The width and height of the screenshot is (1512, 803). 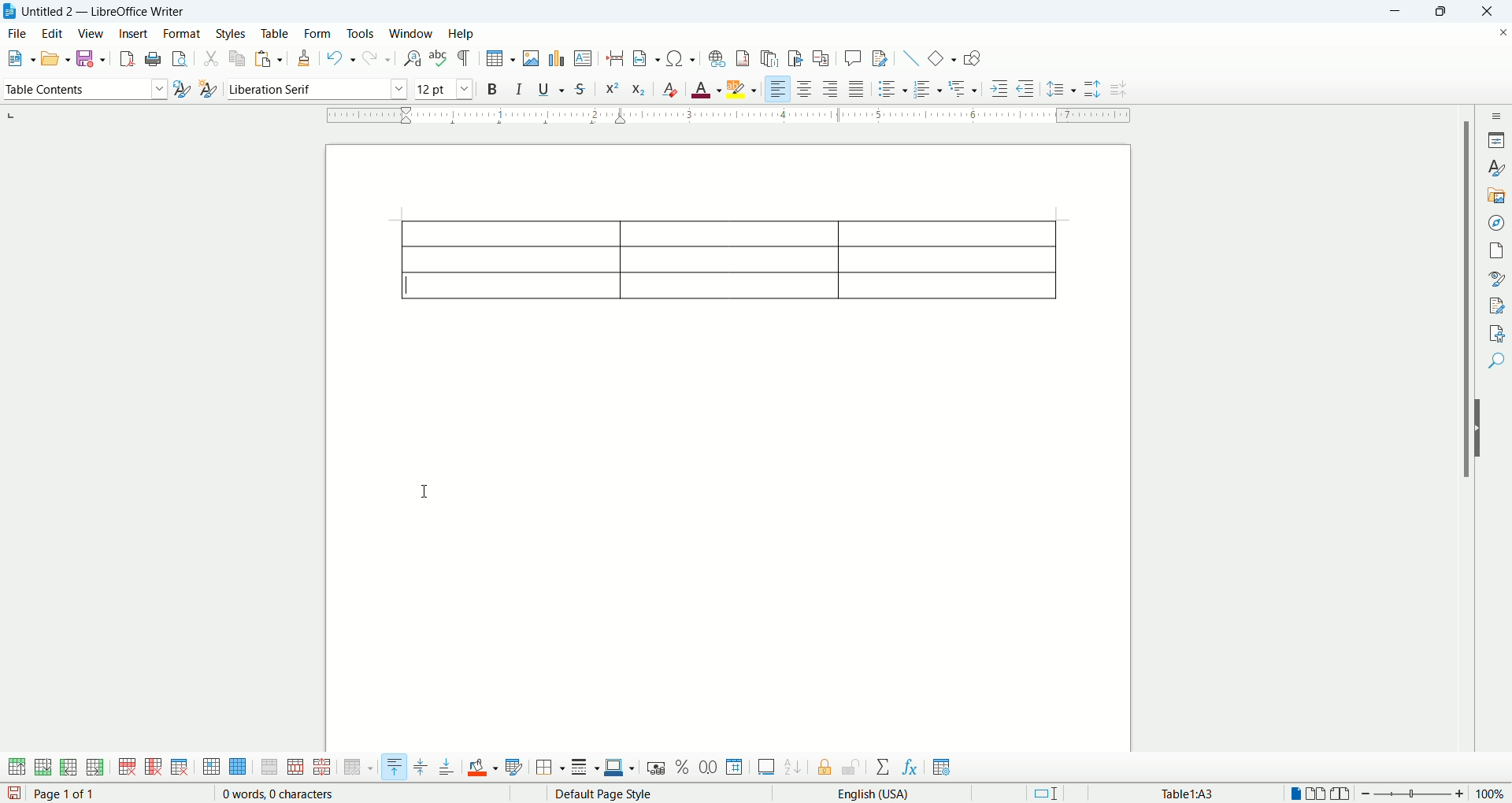 I want to click on merge cells, so click(x=270, y=768).